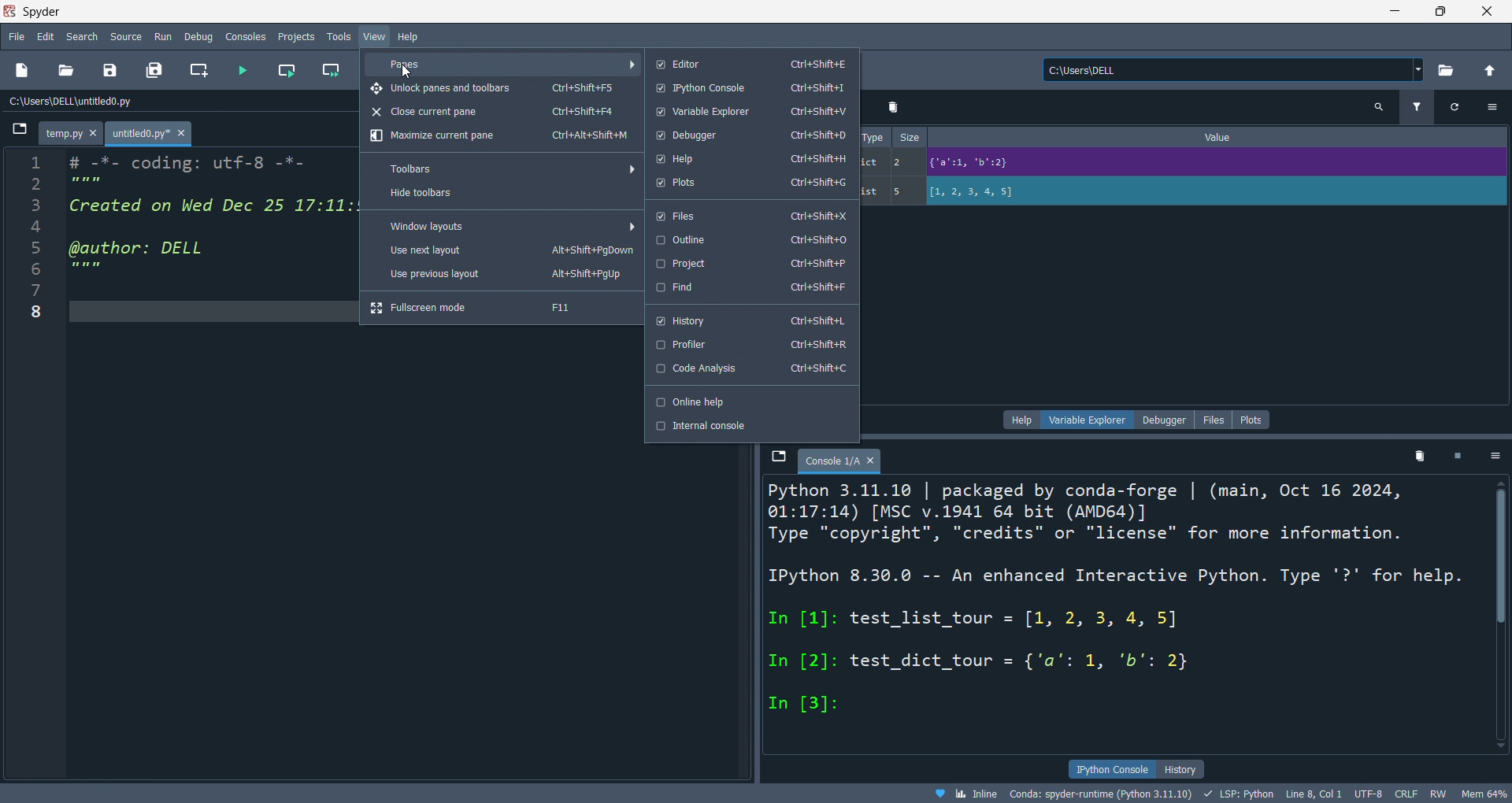  I want to click on view, so click(373, 37).